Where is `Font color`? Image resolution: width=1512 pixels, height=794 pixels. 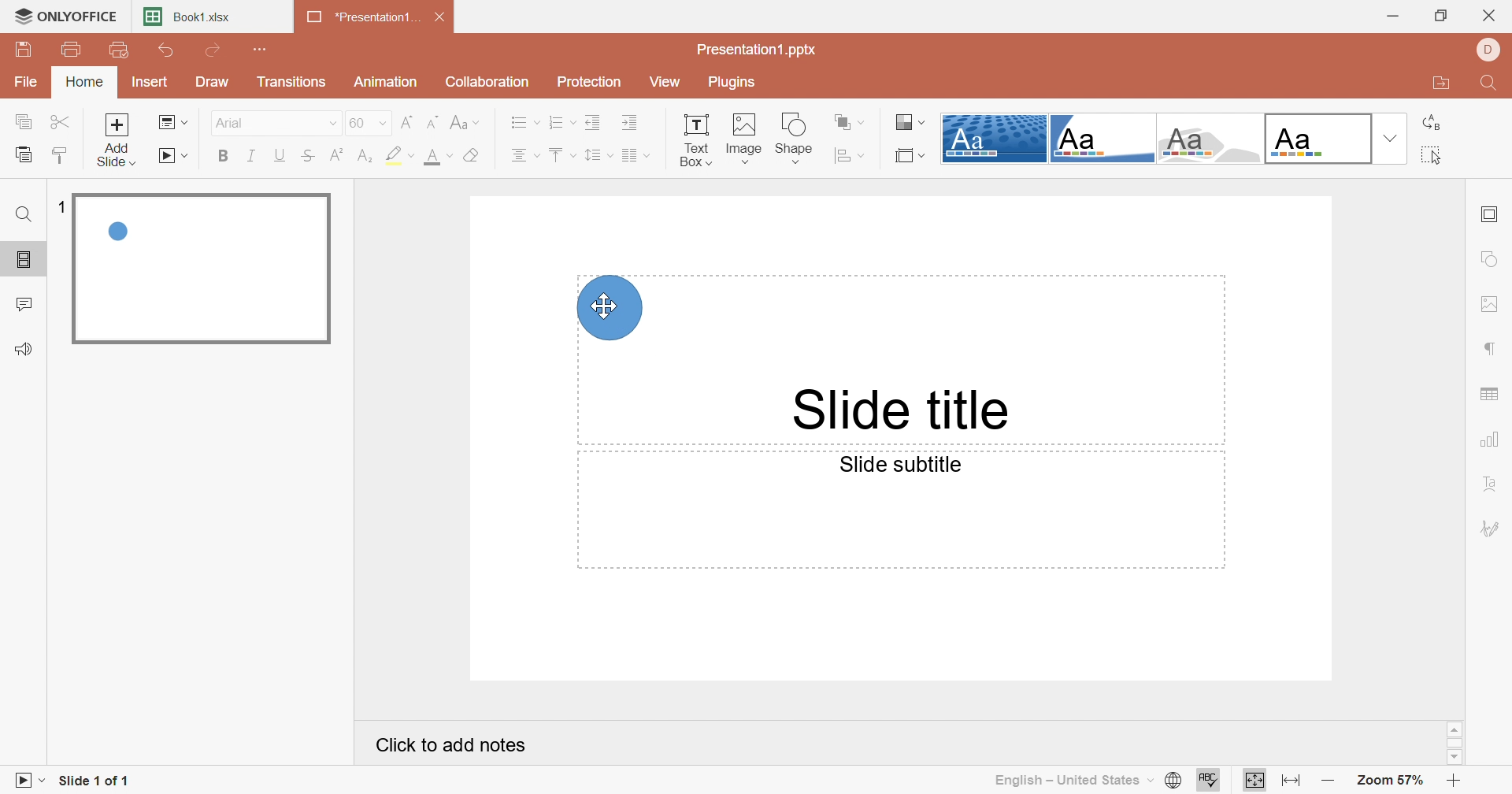
Font color is located at coordinates (435, 155).